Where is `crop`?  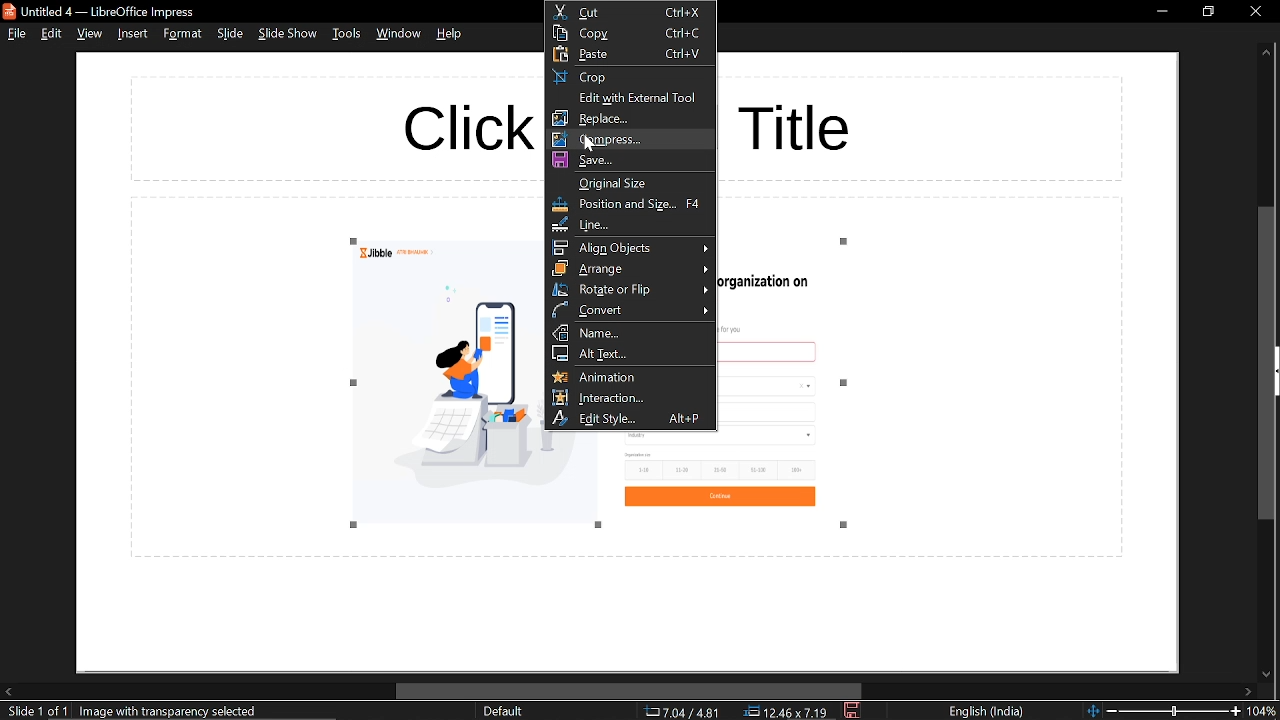
crop is located at coordinates (629, 76).